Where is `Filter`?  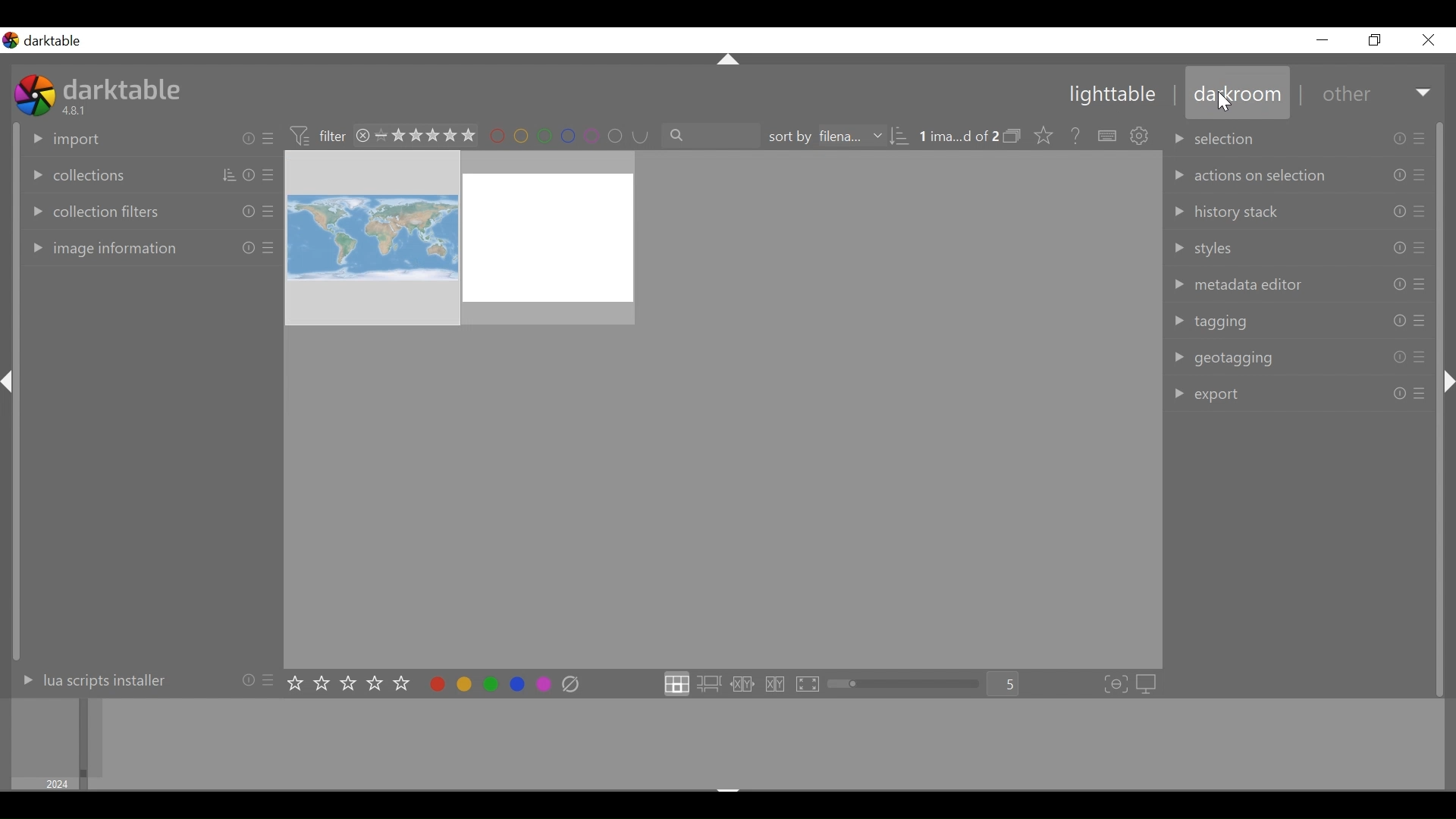
Filter is located at coordinates (315, 137).